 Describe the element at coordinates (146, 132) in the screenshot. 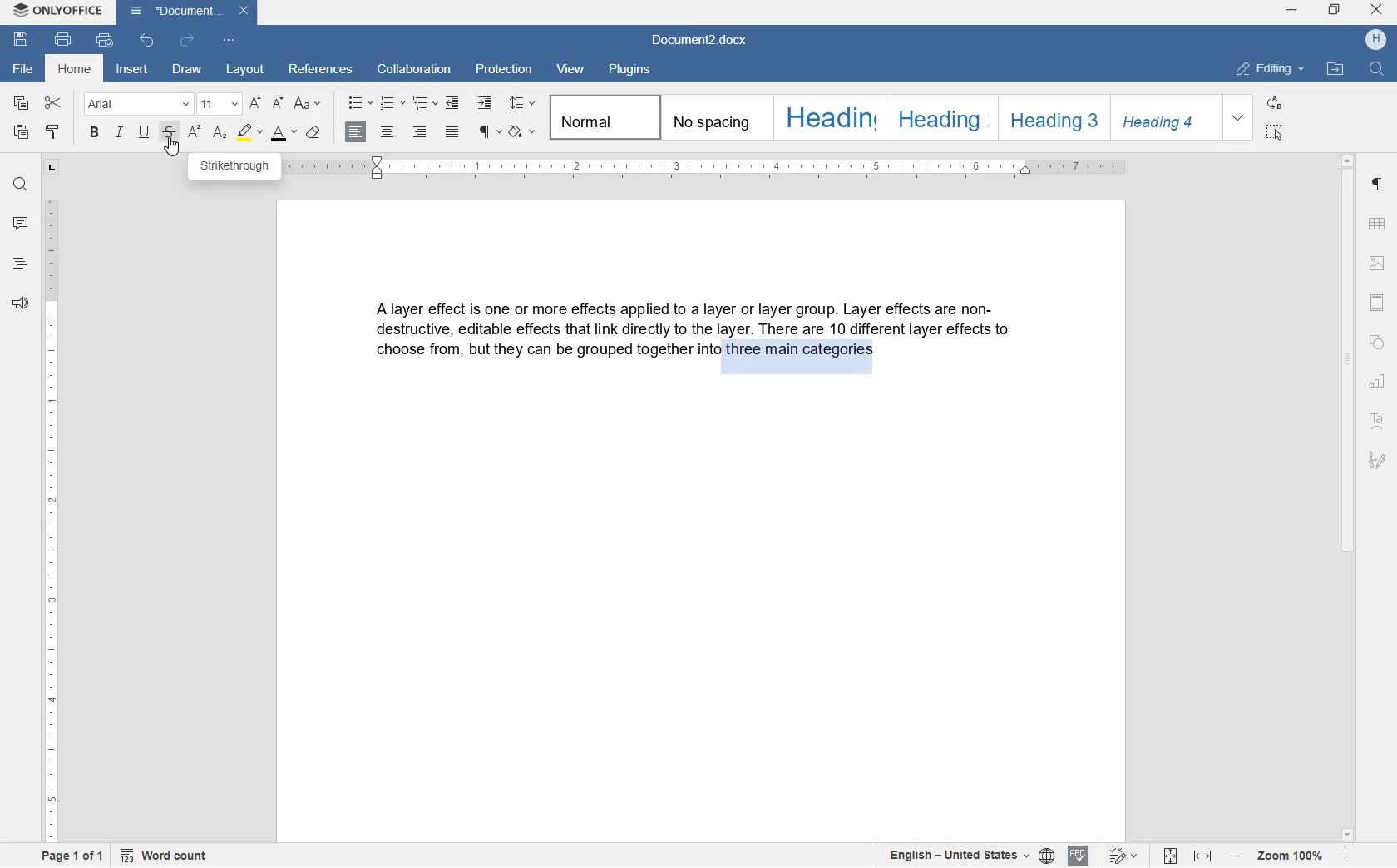

I see `underline` at that location.